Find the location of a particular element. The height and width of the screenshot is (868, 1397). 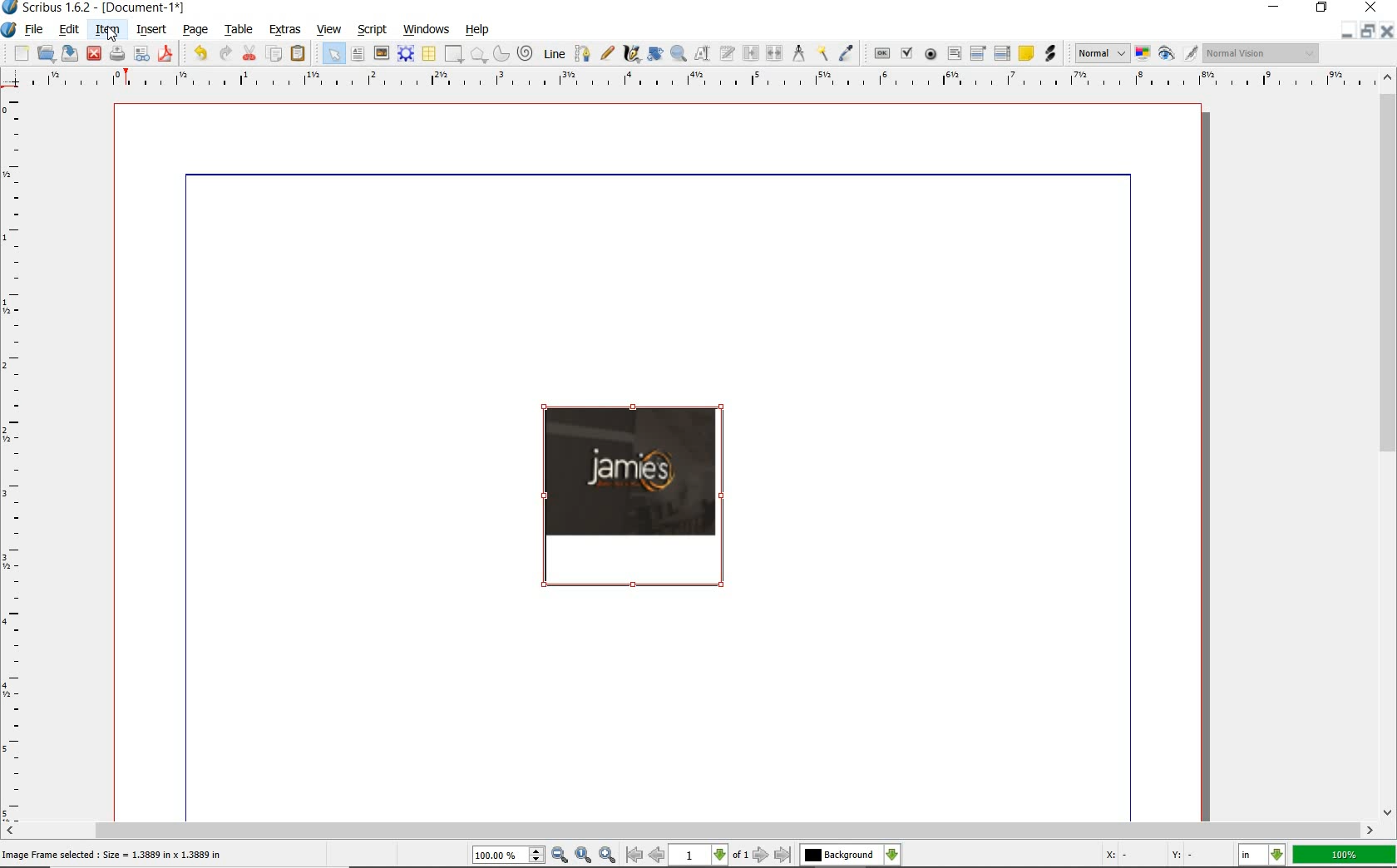

pdf radio button is located at coordinates (931, 55).